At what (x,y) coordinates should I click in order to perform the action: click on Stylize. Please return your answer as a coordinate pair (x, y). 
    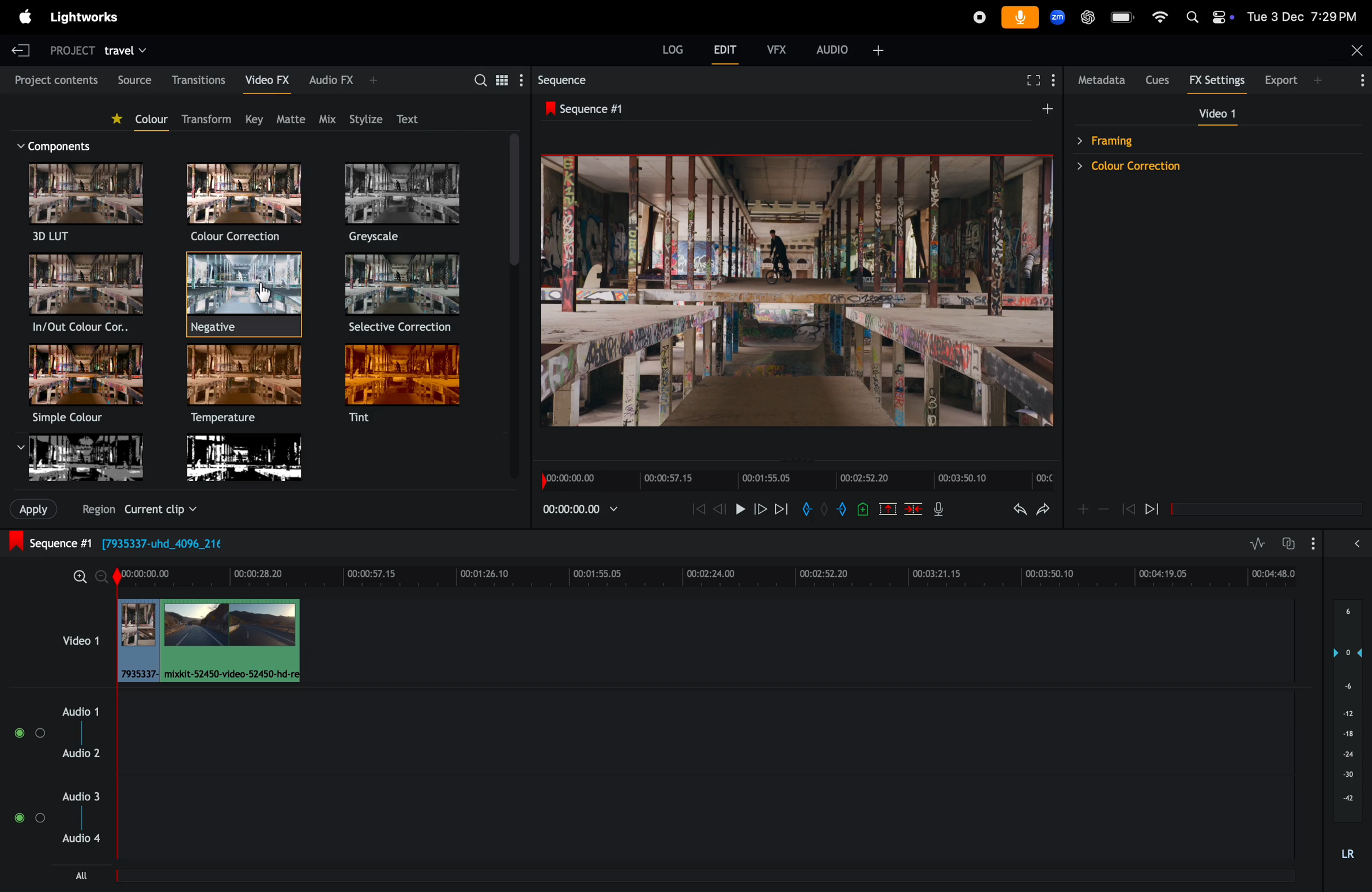
    Looking at the image, I should click on (365, 115).